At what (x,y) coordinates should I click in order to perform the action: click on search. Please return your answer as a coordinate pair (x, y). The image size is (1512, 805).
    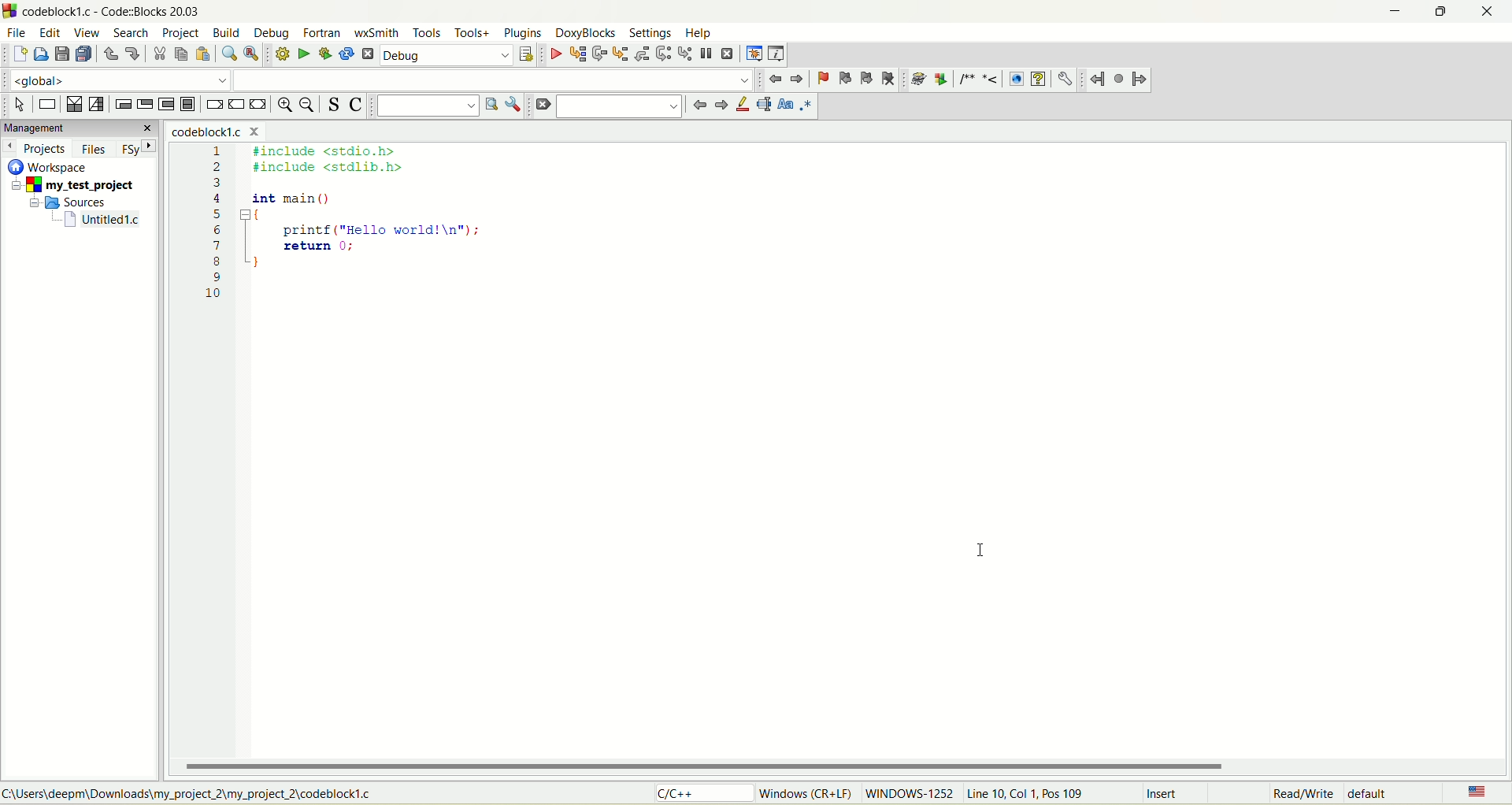
    Looking at the image, I should click on (126, 33).